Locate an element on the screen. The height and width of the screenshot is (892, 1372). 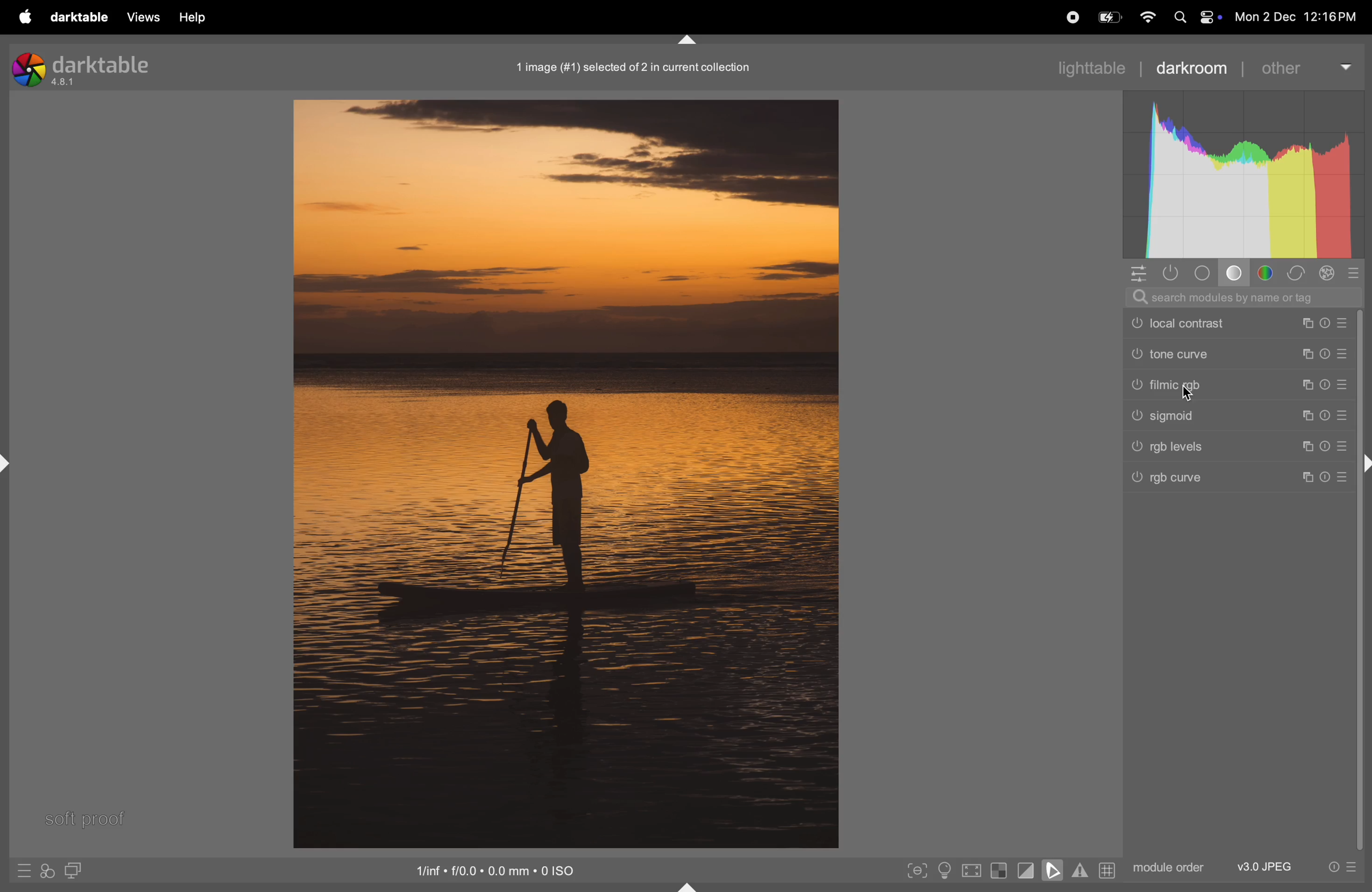
record is located at coordinates (1069, 16).